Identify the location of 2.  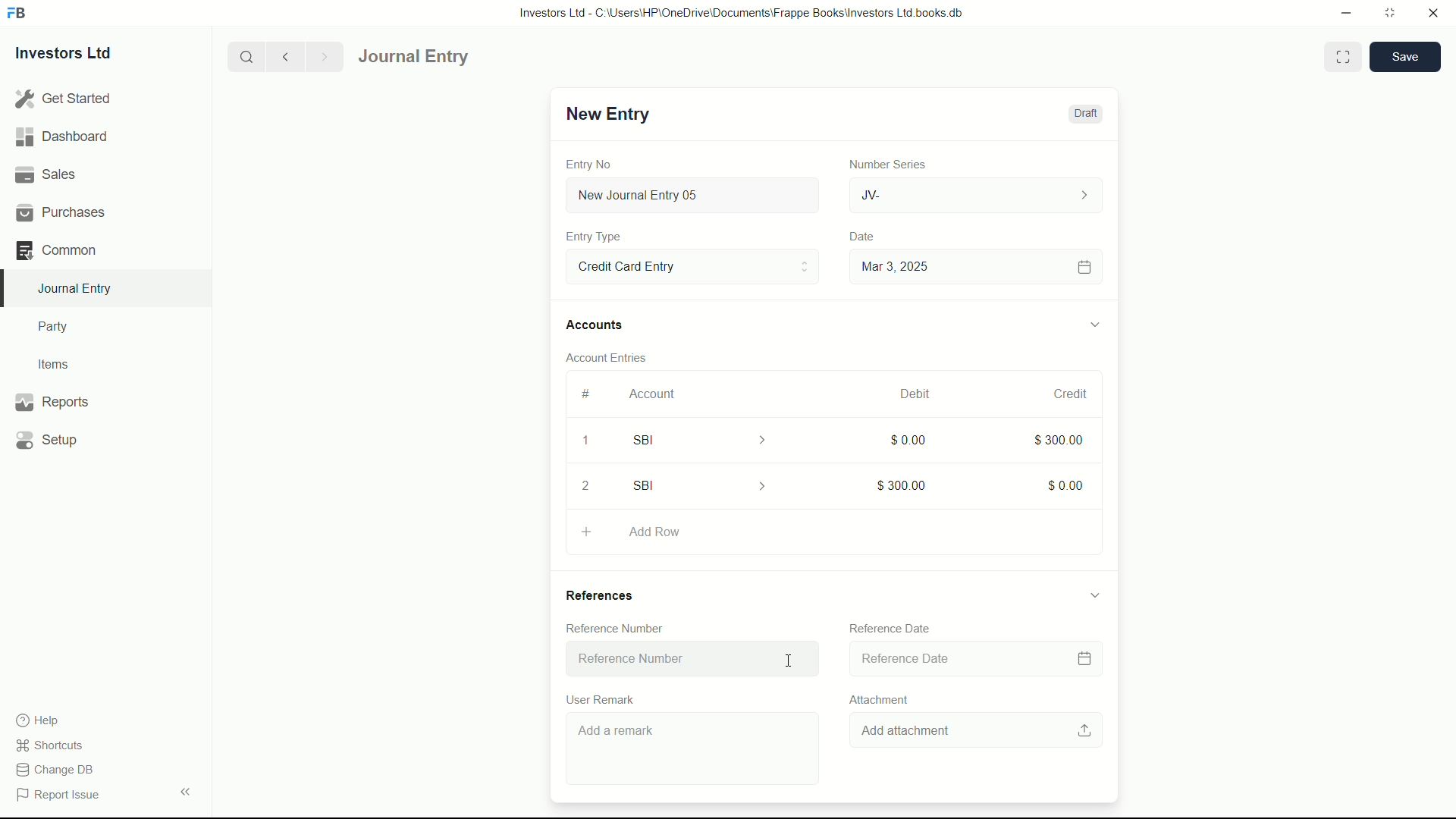
(591, 485).